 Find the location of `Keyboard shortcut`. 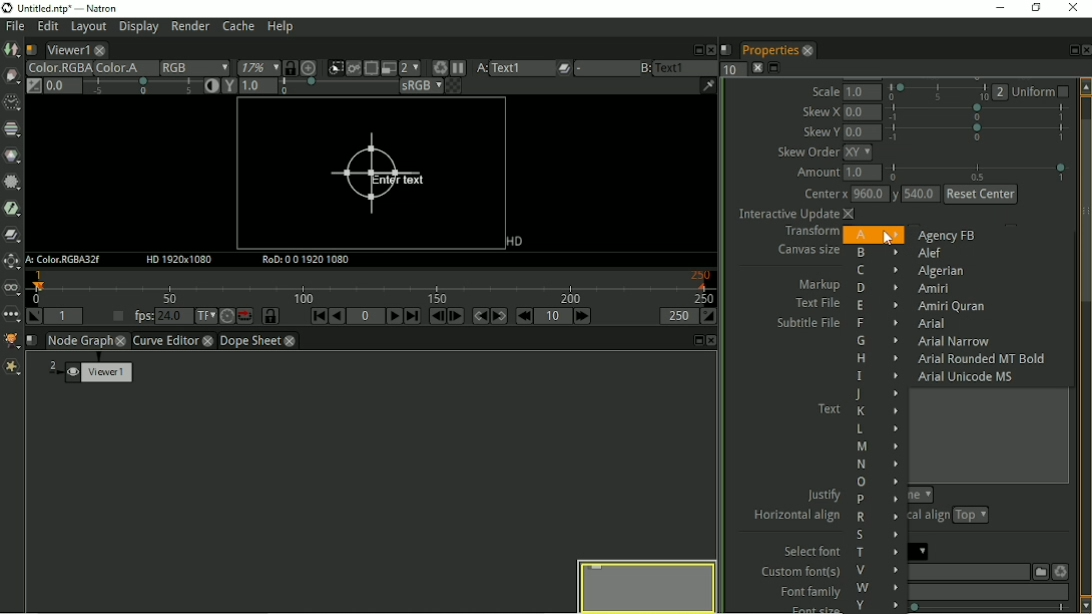

Keyboard shortcut is located at coordinates (437, 67).